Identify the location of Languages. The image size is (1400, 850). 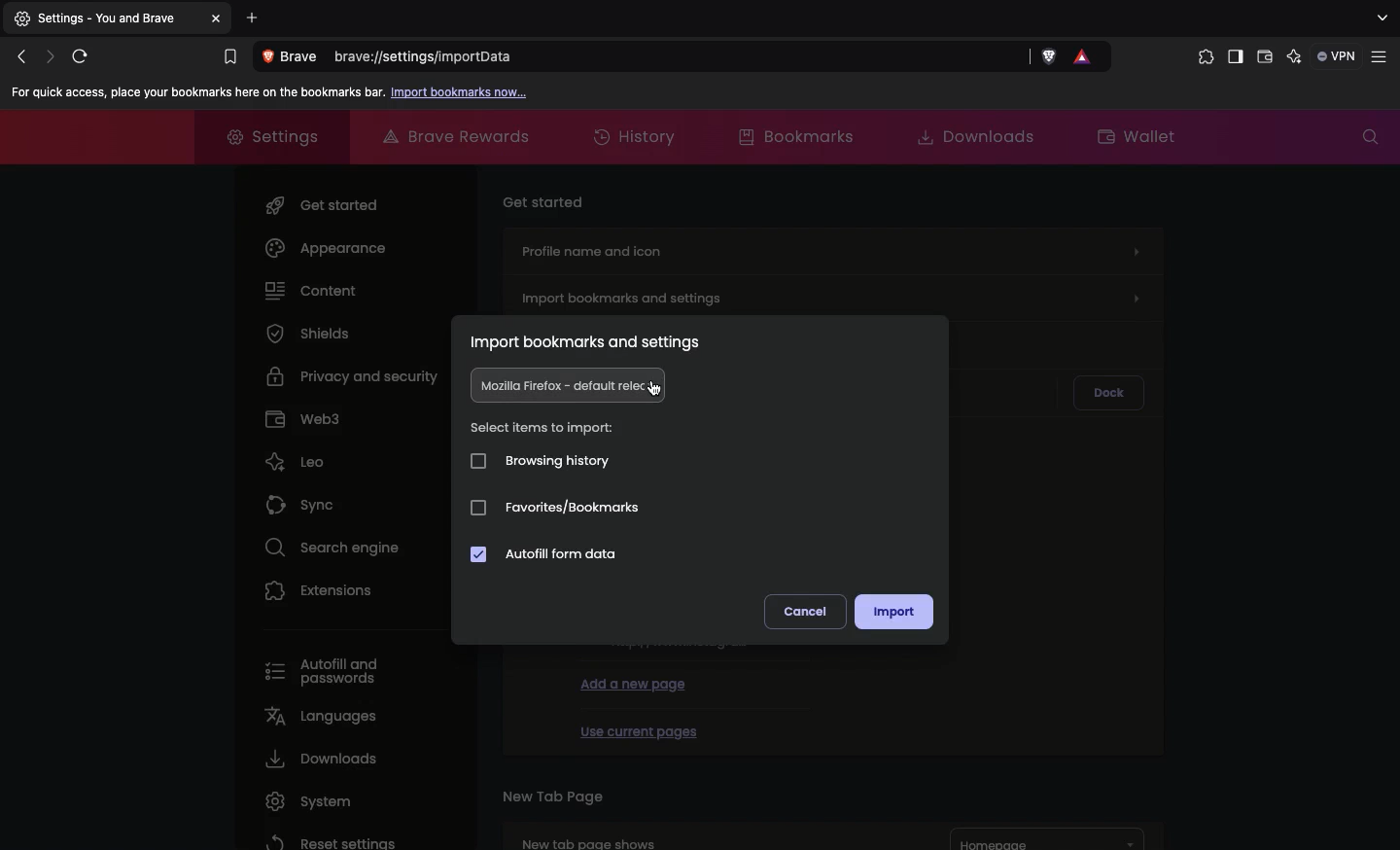
(318, 715).